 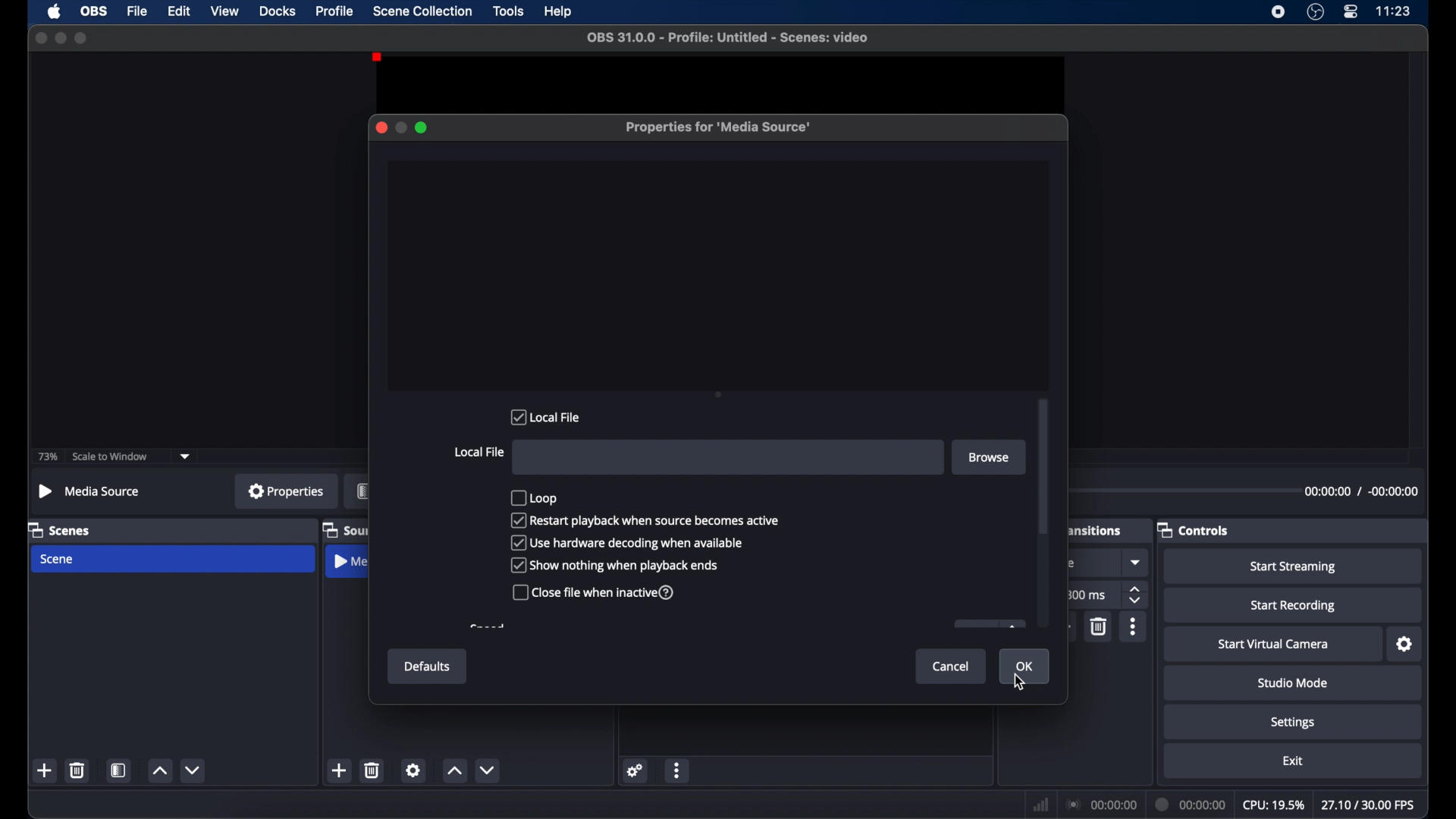 I want to click on scene filters, so click(x=120, y=770).